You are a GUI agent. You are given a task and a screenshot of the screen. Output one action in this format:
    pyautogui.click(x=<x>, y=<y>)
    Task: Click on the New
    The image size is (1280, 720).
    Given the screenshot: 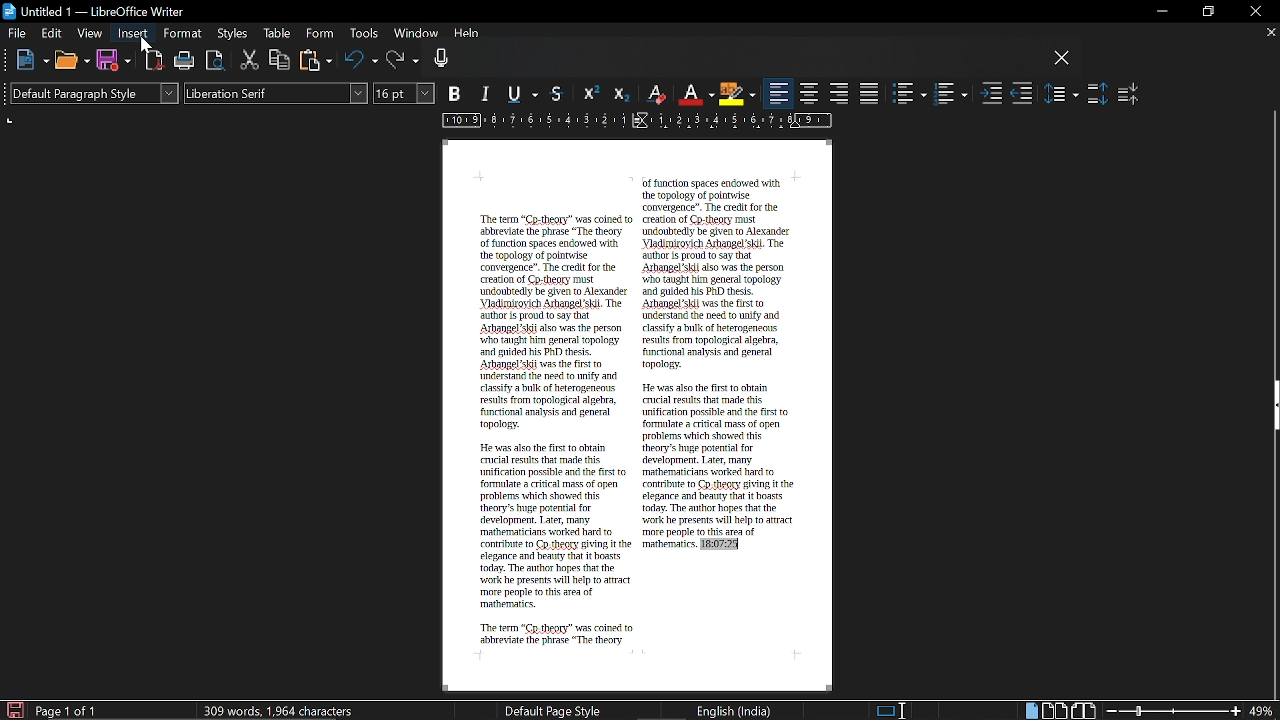 What is the action you would take?
    pyautogui.click(x=32, y=61)
    